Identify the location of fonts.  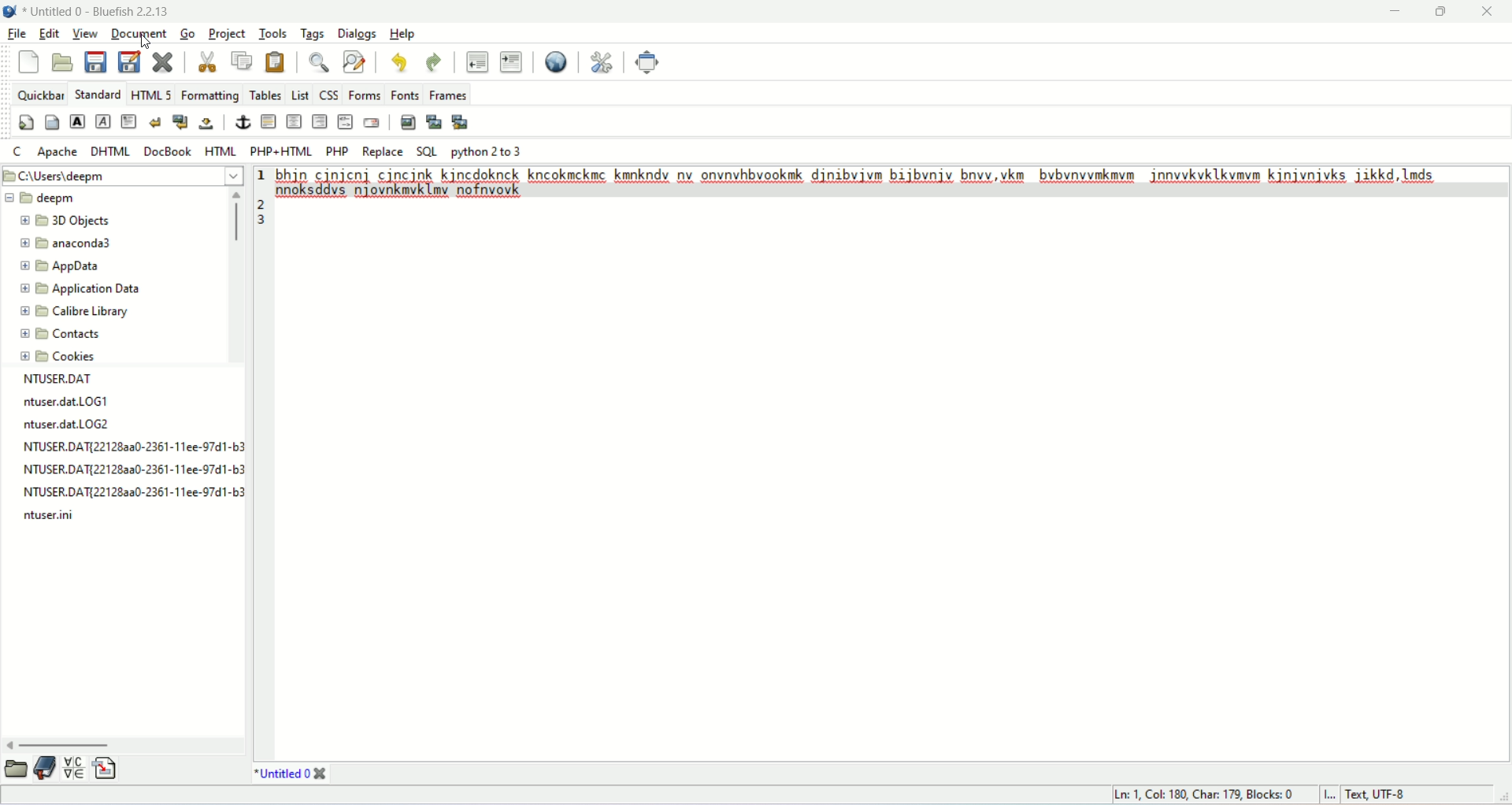
(403, 95).